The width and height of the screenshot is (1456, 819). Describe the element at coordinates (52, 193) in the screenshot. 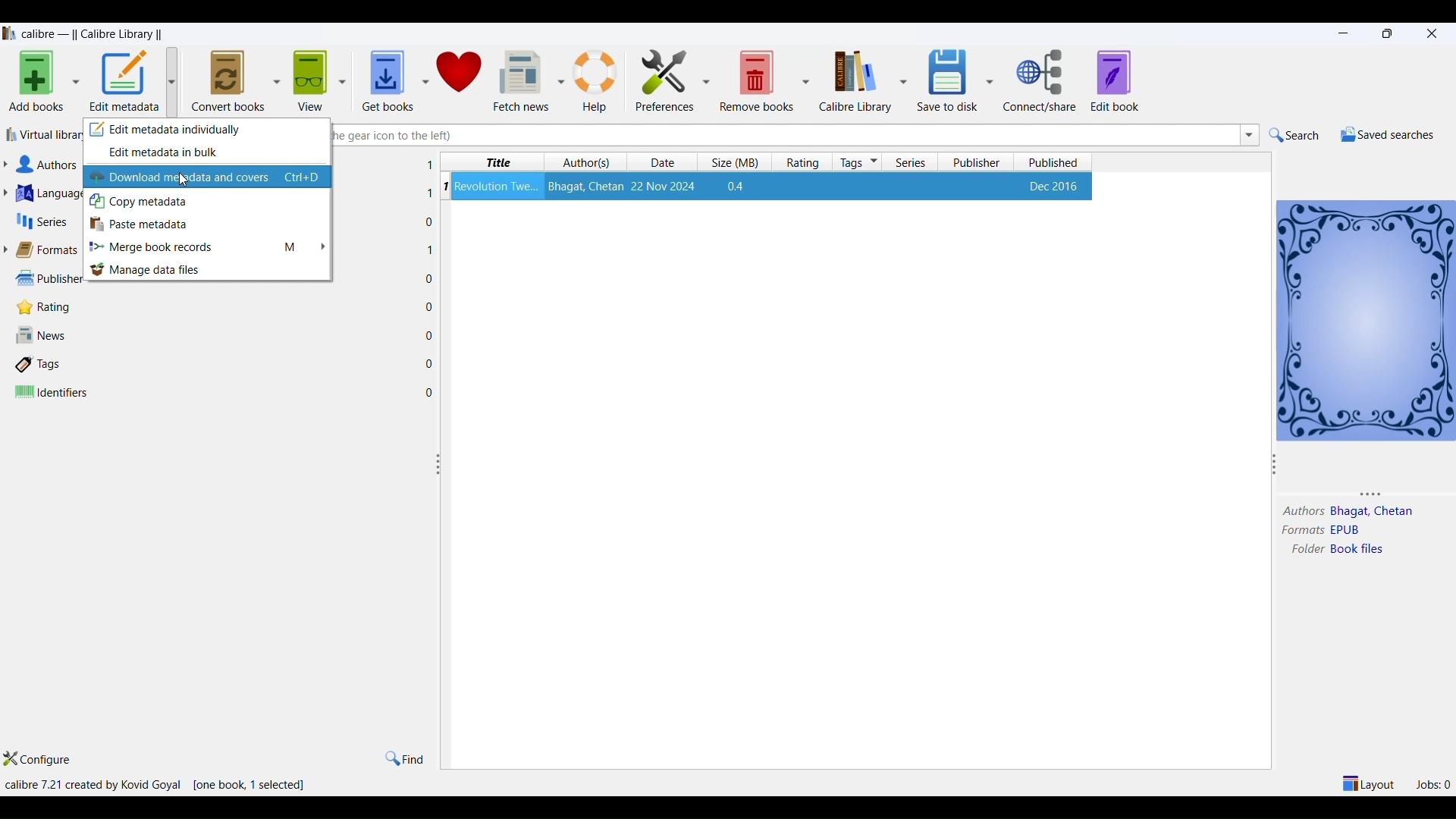

I see `languages` at that location.